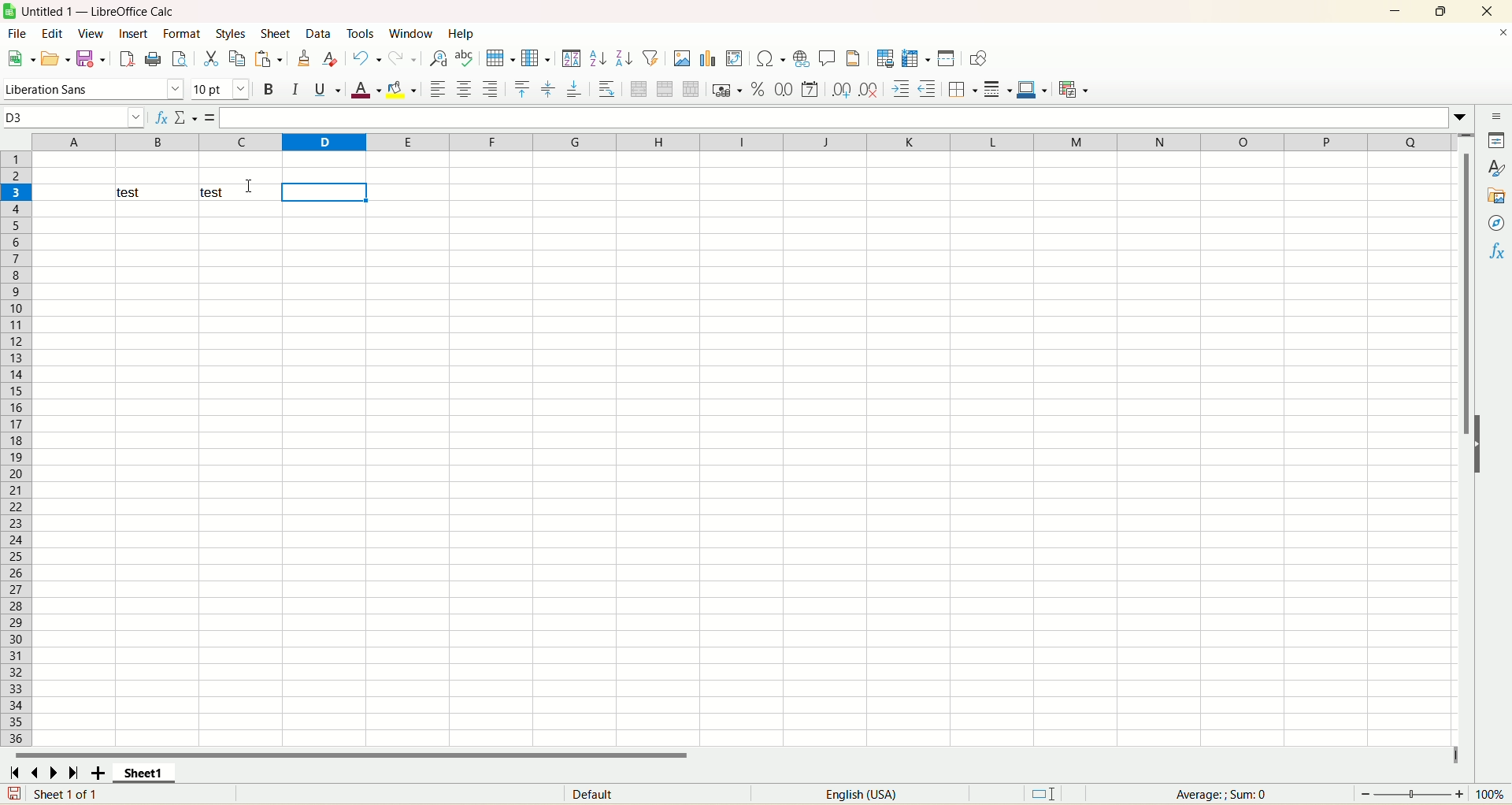 The width and height of the screenshot is (1512, 805). Describe the element at coordinates (665, 89) in the screenshot. I see `merge` at that location.